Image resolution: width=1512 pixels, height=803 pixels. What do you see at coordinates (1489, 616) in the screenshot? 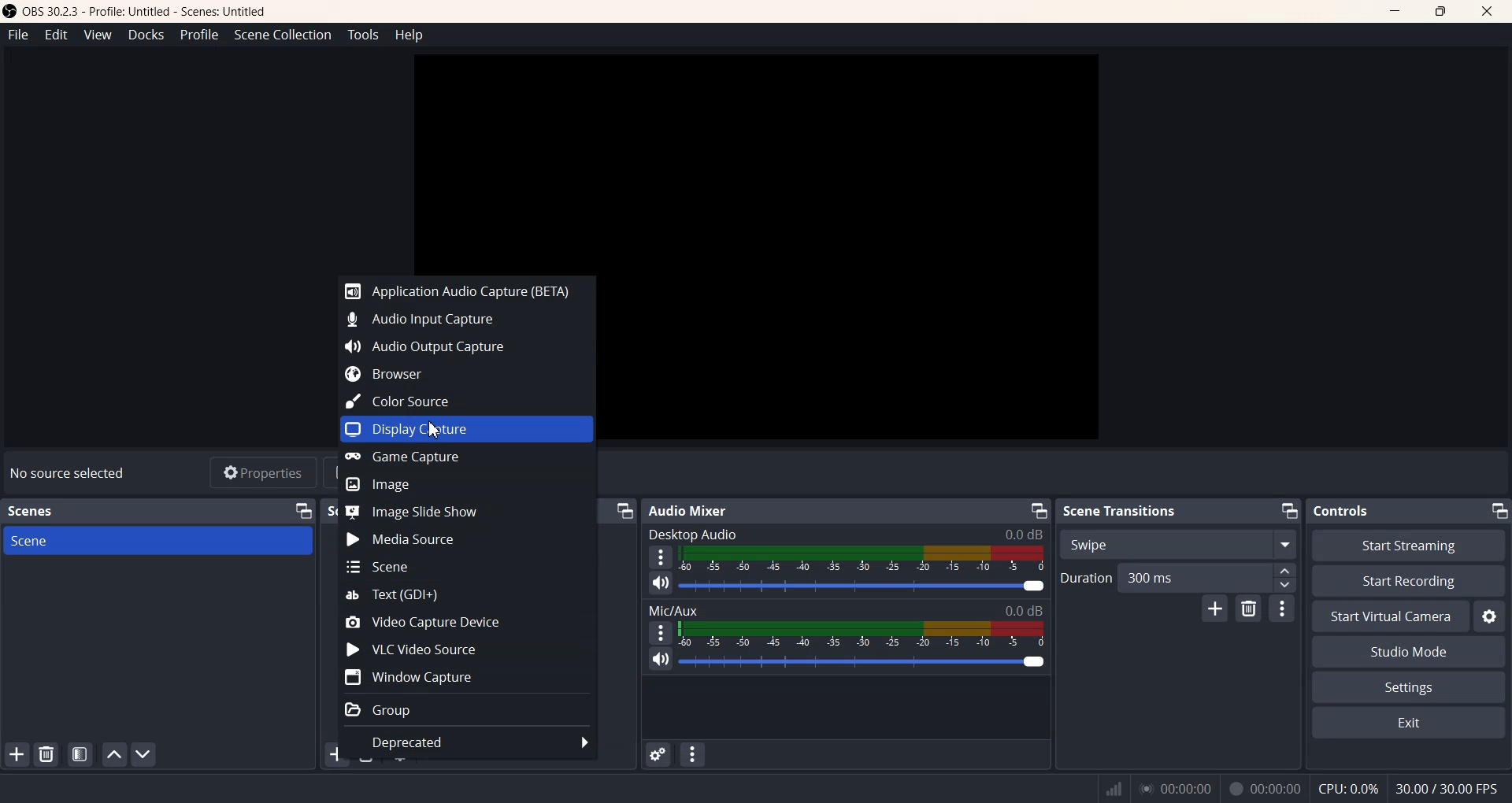
I see `Settings` at bounding box center [1489, 616].